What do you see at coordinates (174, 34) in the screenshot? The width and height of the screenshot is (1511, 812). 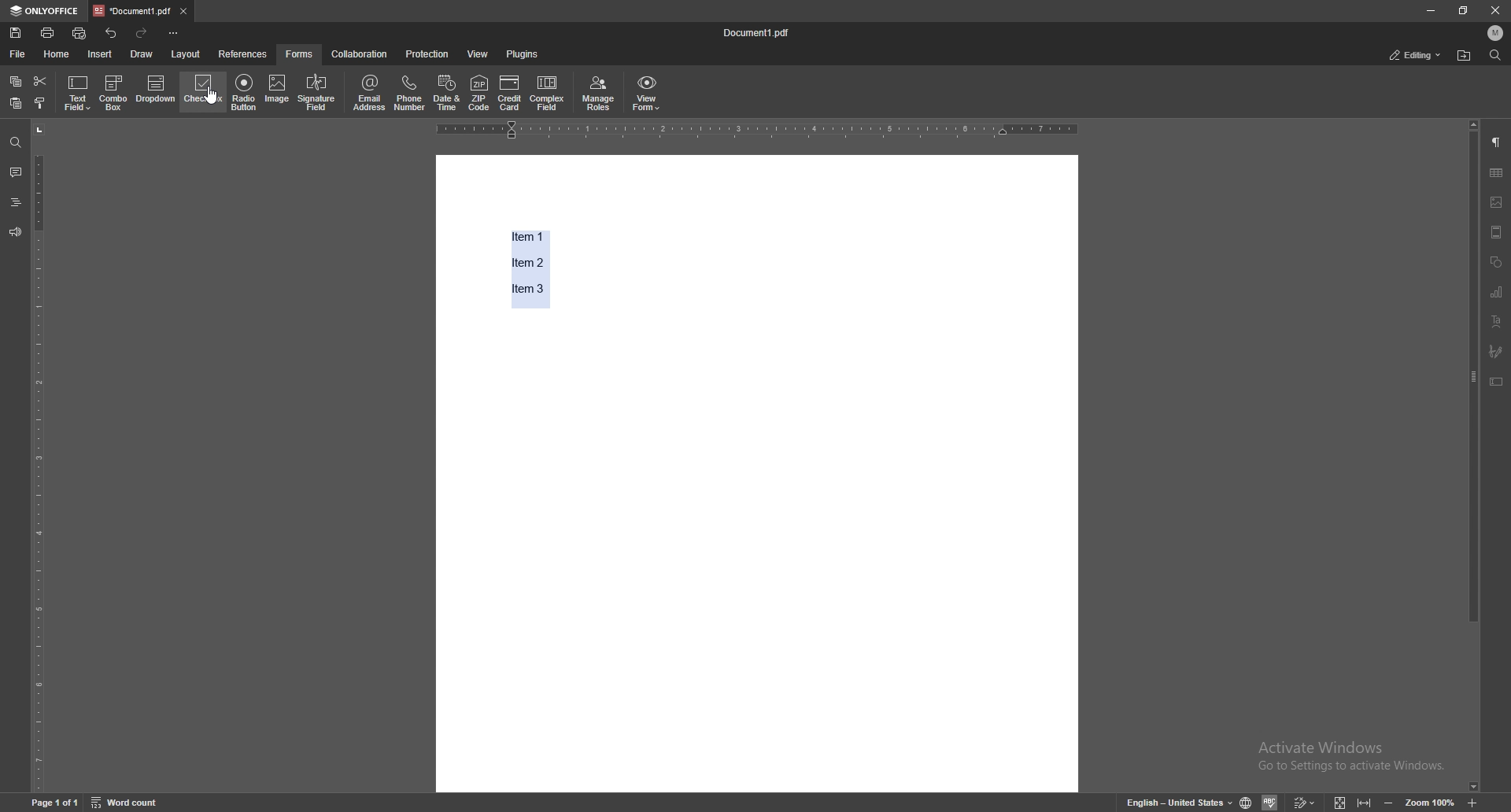 I see `customize toolbar` at bounding box center [174, 34].